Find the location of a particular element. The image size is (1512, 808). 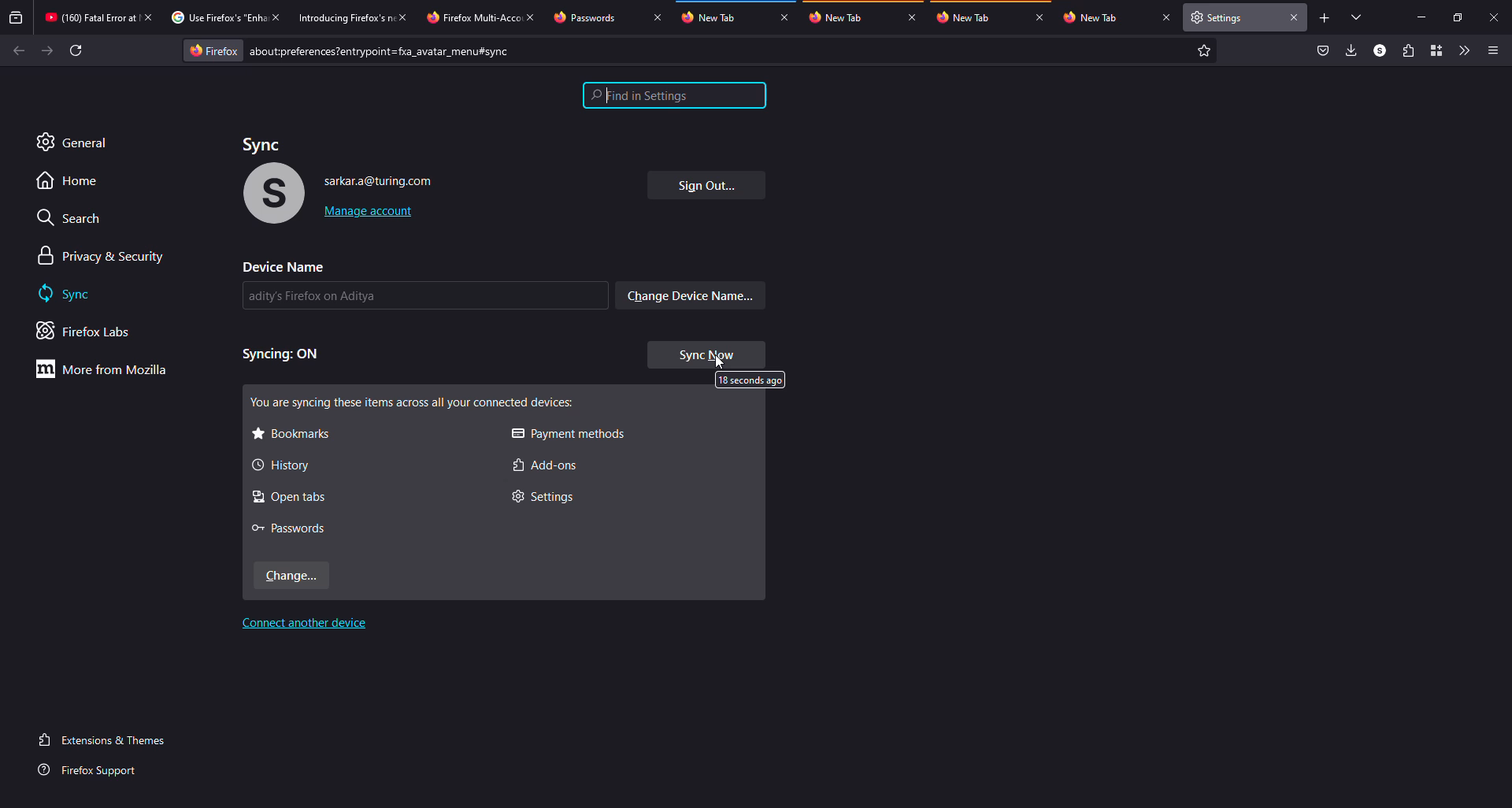

close is located at coordinates (1040, 18).